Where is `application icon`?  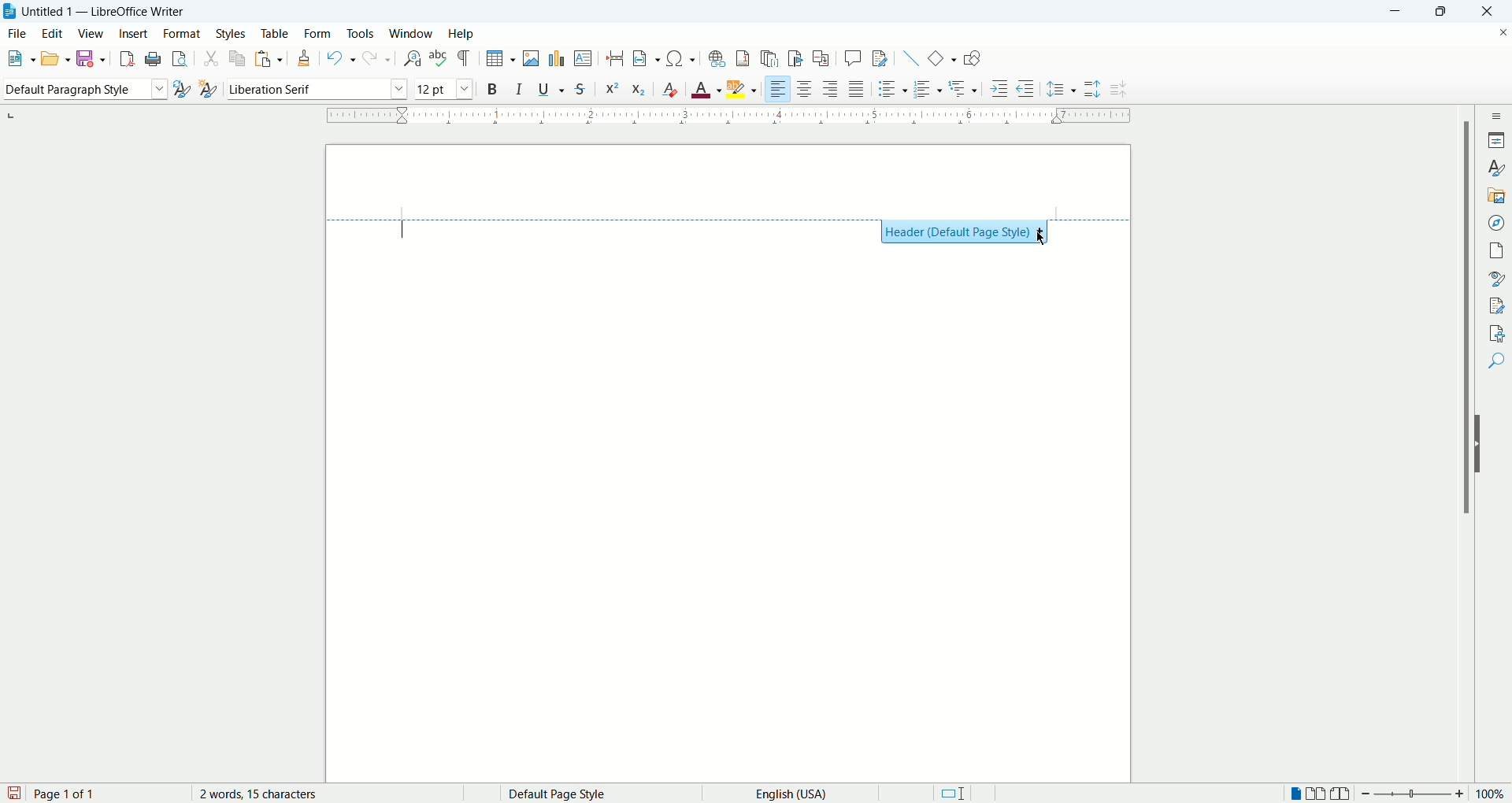 application icon is located at coordinates (11, 11).